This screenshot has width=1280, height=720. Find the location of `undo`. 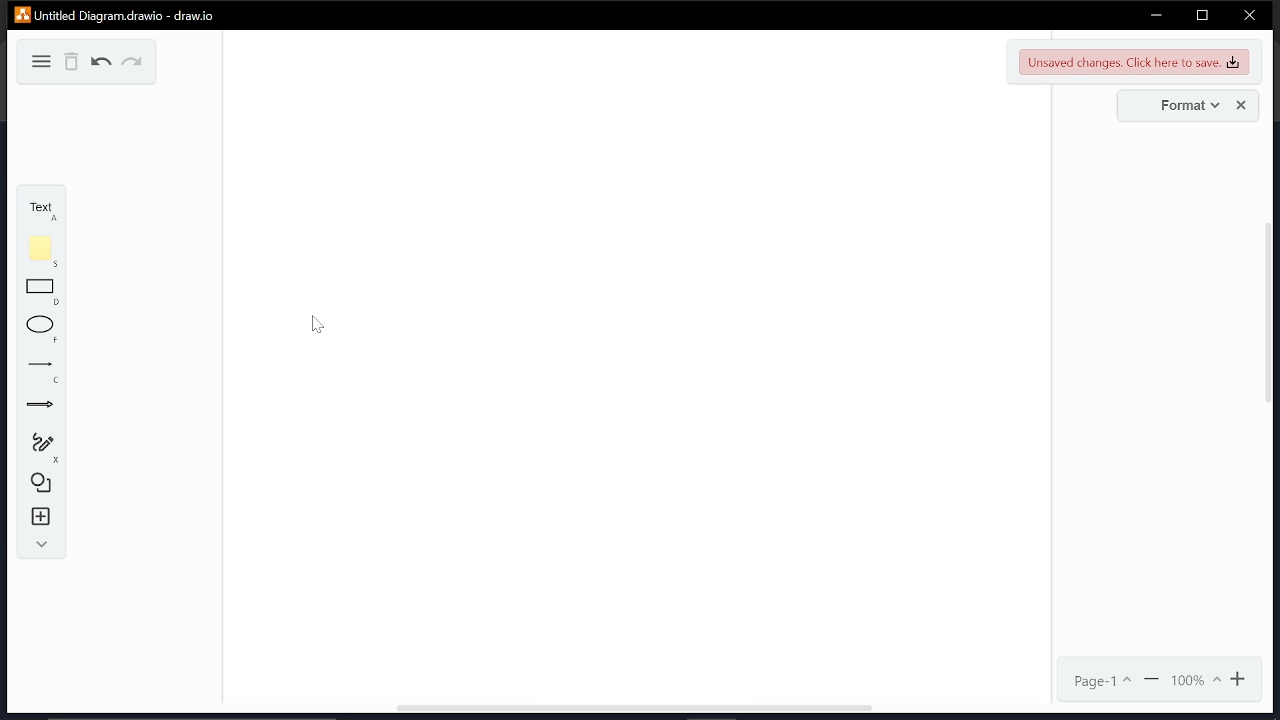

undo is located at coordinates (102, 63).